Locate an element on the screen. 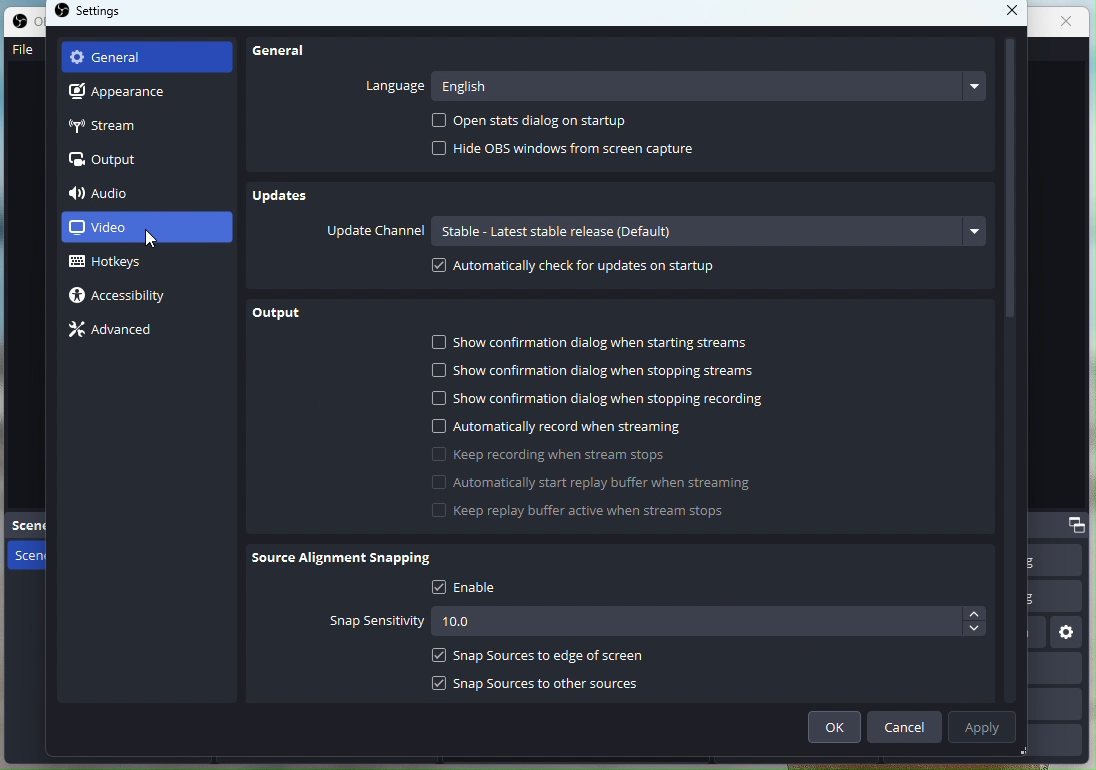 Image resolution: width=1096 pixels, height=770 pixels. Advance is located at coordinates (116, 327).